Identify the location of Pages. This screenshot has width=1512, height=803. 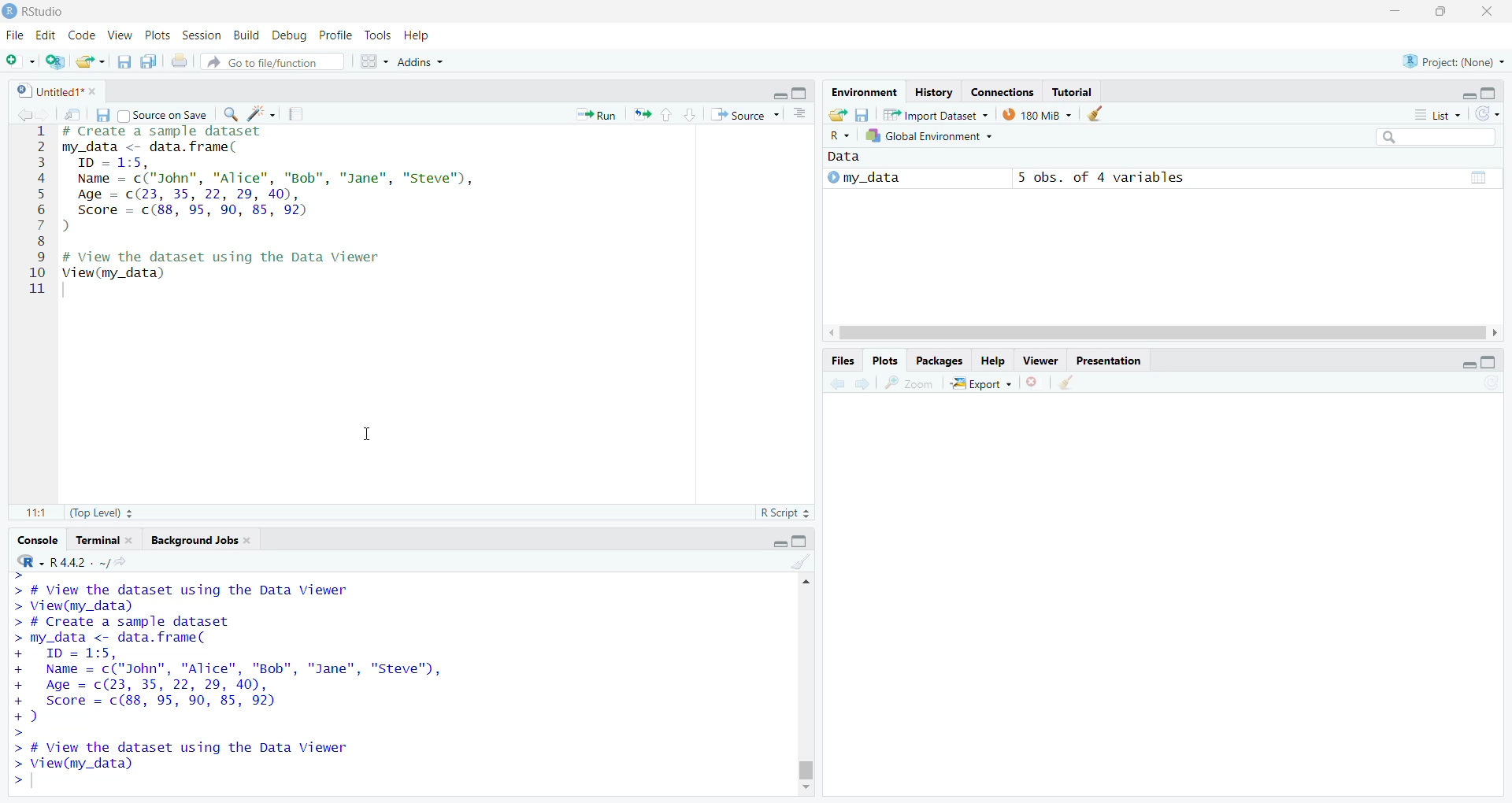
(1478, 178).